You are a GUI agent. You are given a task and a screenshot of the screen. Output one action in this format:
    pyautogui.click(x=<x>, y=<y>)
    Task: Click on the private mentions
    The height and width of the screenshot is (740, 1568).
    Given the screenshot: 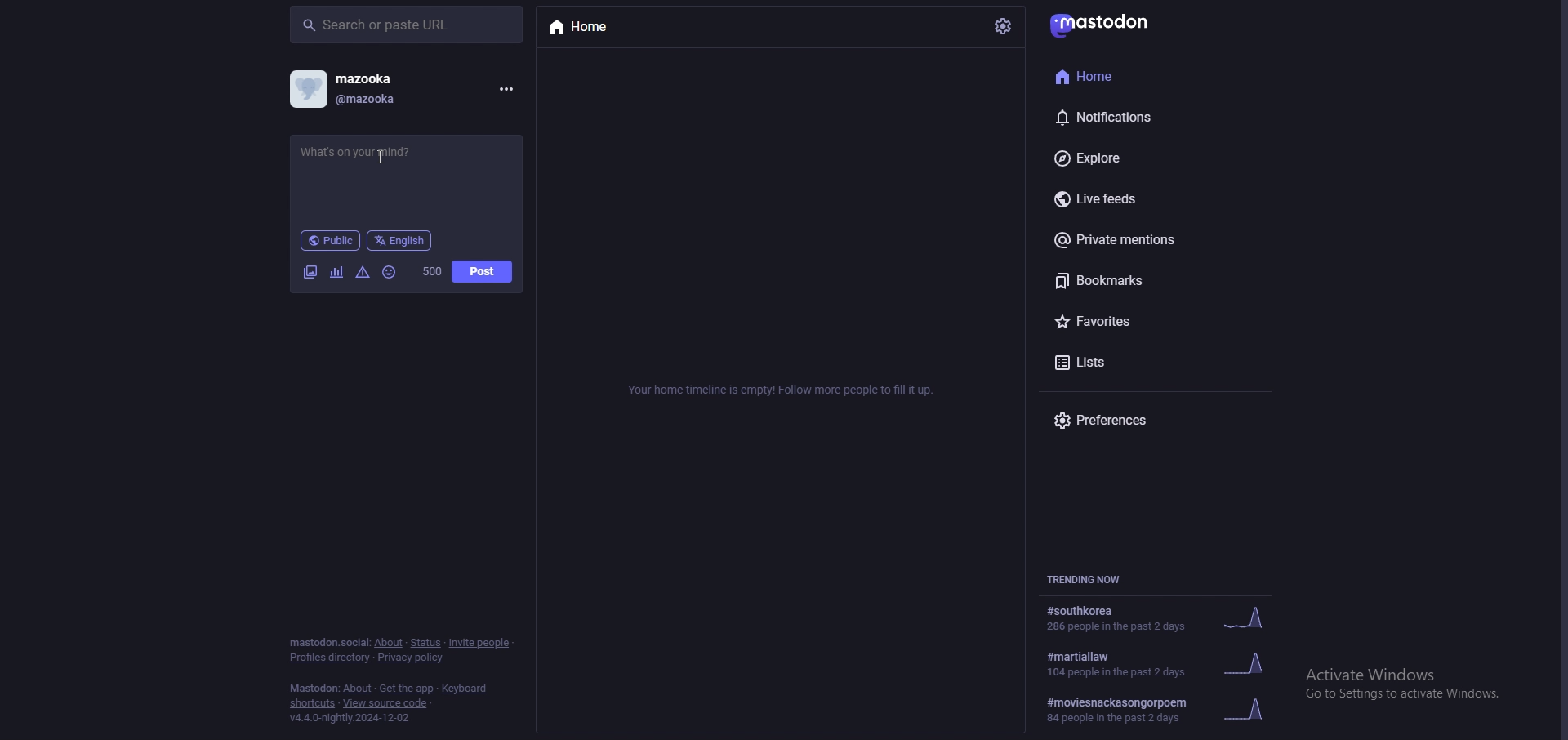 What is the action you would take?
    pyautogui.click(x=1144, y=242)
    